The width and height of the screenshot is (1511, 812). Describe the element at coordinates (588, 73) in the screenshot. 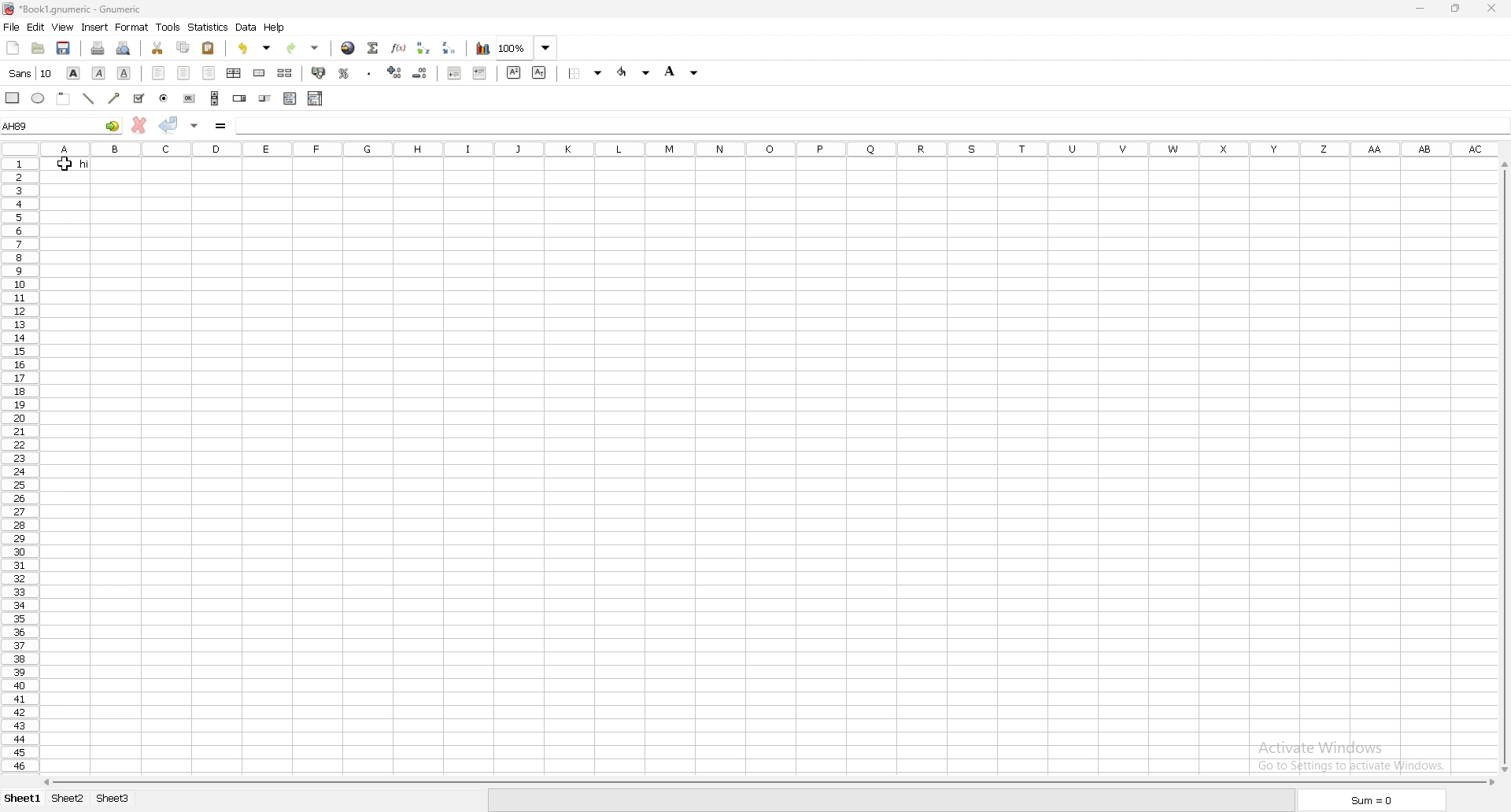

I see `borders` at that location.